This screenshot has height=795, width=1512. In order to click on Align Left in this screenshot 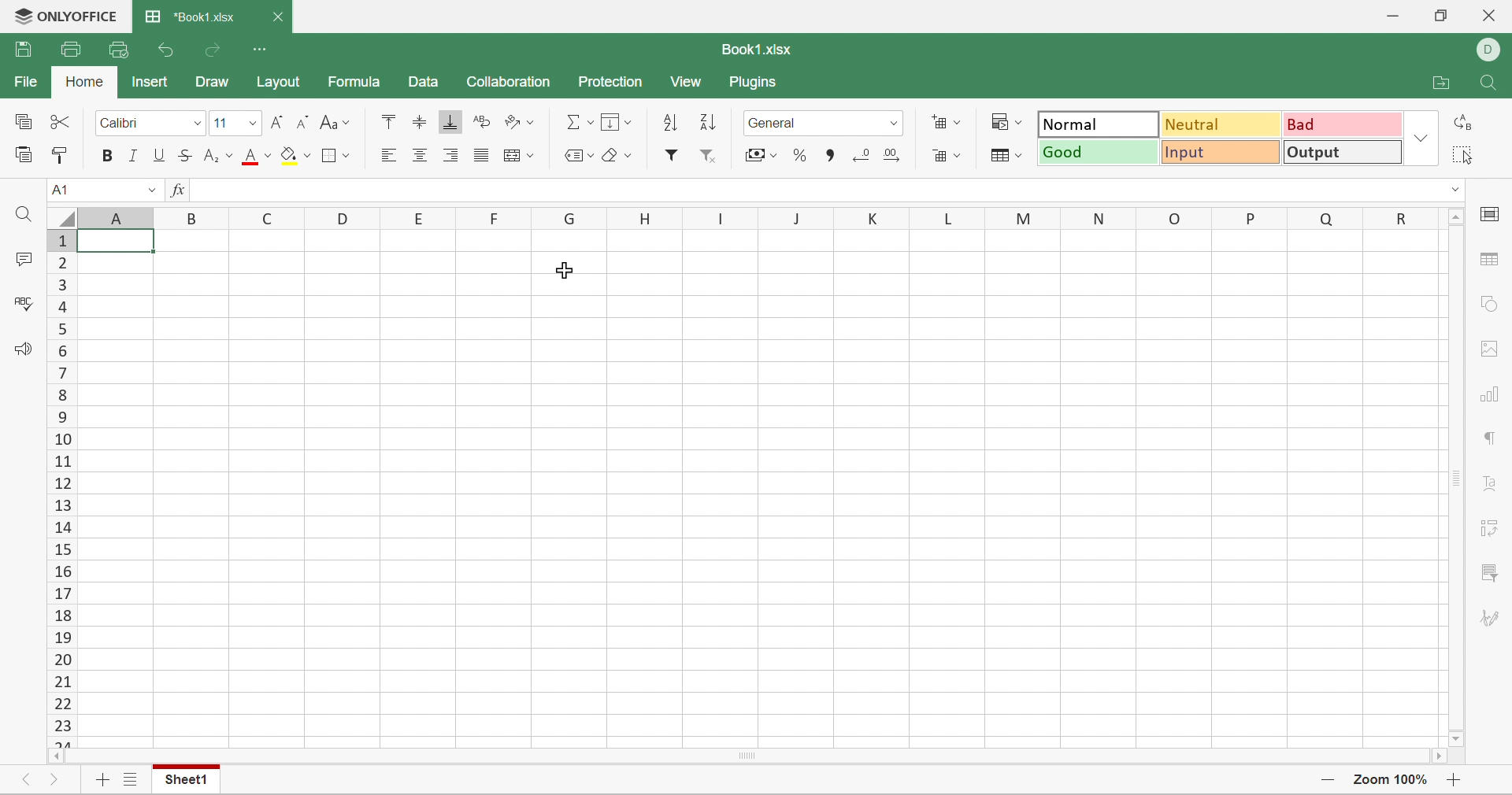, I will do `click(391, 154)`.